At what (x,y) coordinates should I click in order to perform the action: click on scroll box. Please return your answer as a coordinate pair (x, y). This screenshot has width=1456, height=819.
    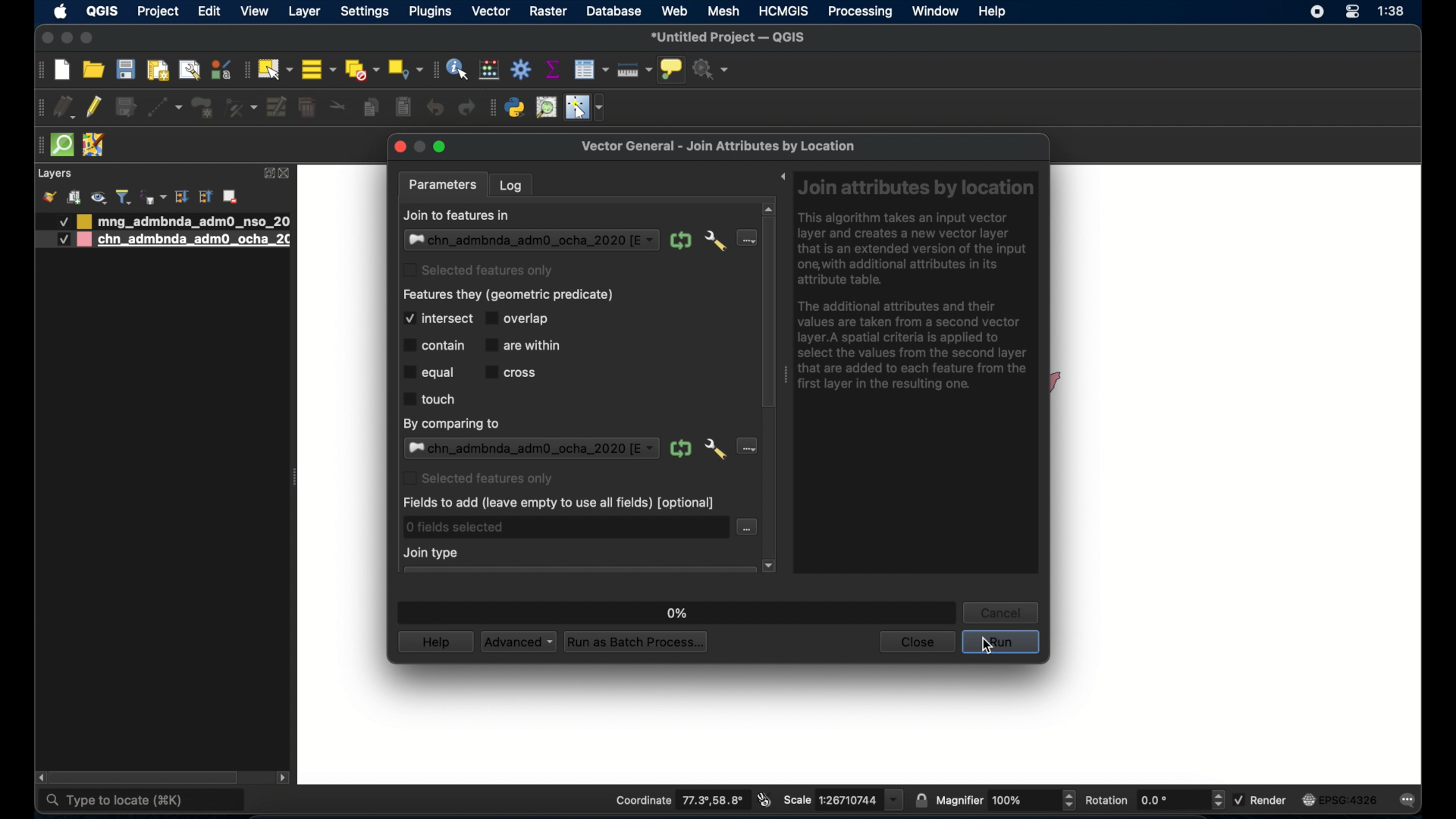
    Looking at the image, I should click on (148, 777).